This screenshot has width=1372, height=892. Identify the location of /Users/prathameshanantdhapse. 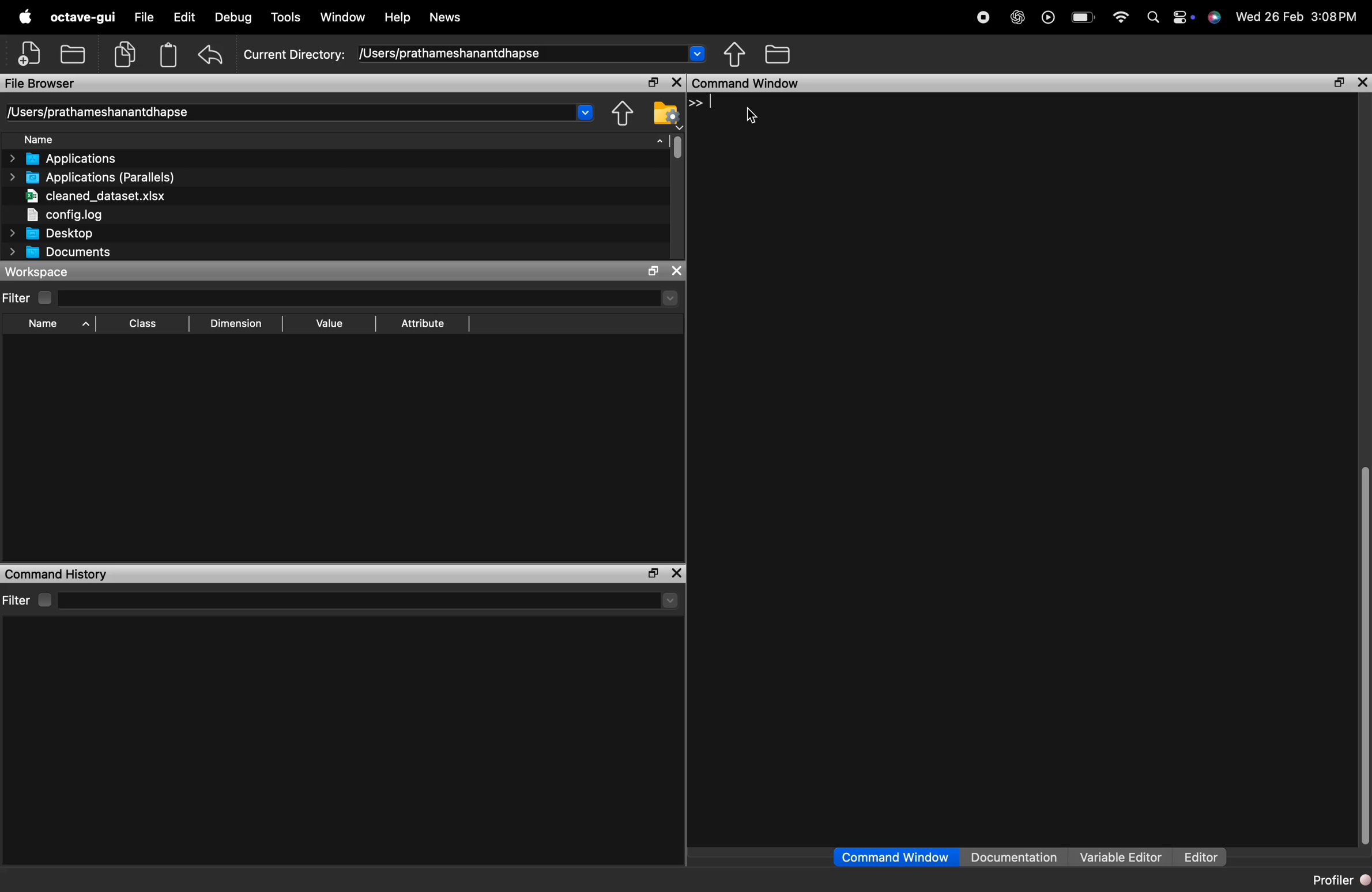
(536, 52).